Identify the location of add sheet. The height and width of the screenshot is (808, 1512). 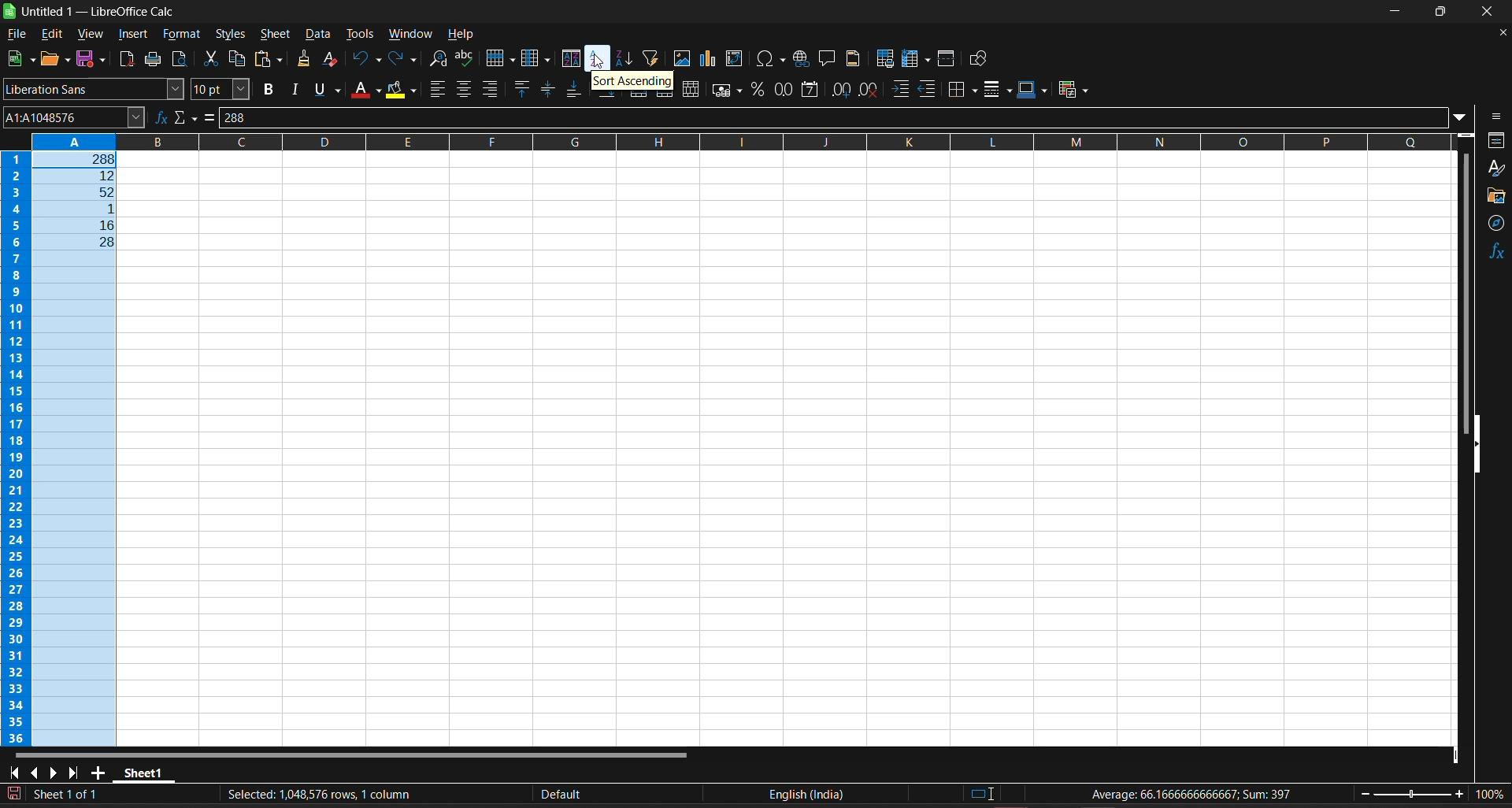
(99, 770).